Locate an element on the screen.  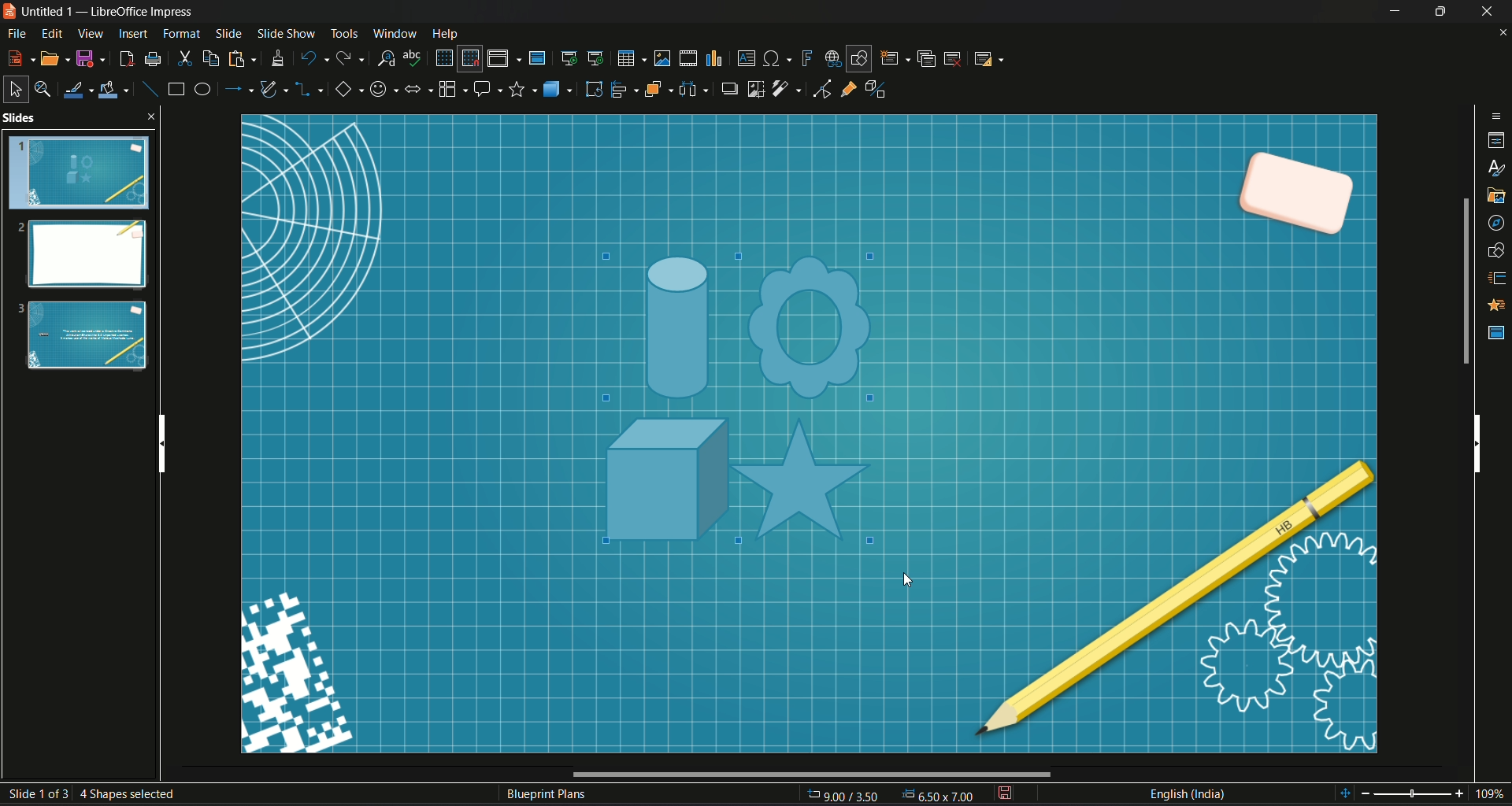
redo is located at coordinates (350, 57).